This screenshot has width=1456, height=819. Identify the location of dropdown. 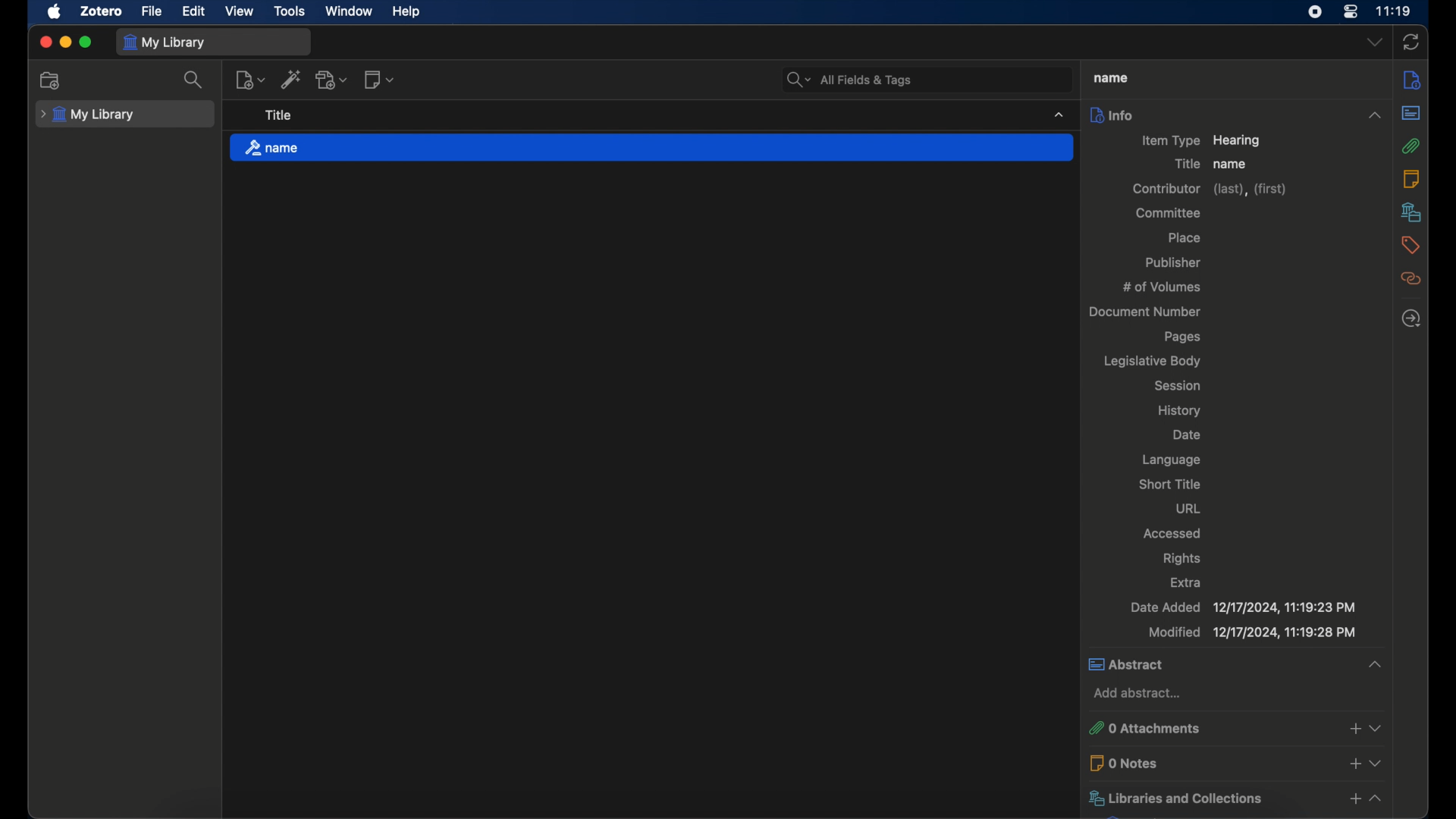
(1375, 42).